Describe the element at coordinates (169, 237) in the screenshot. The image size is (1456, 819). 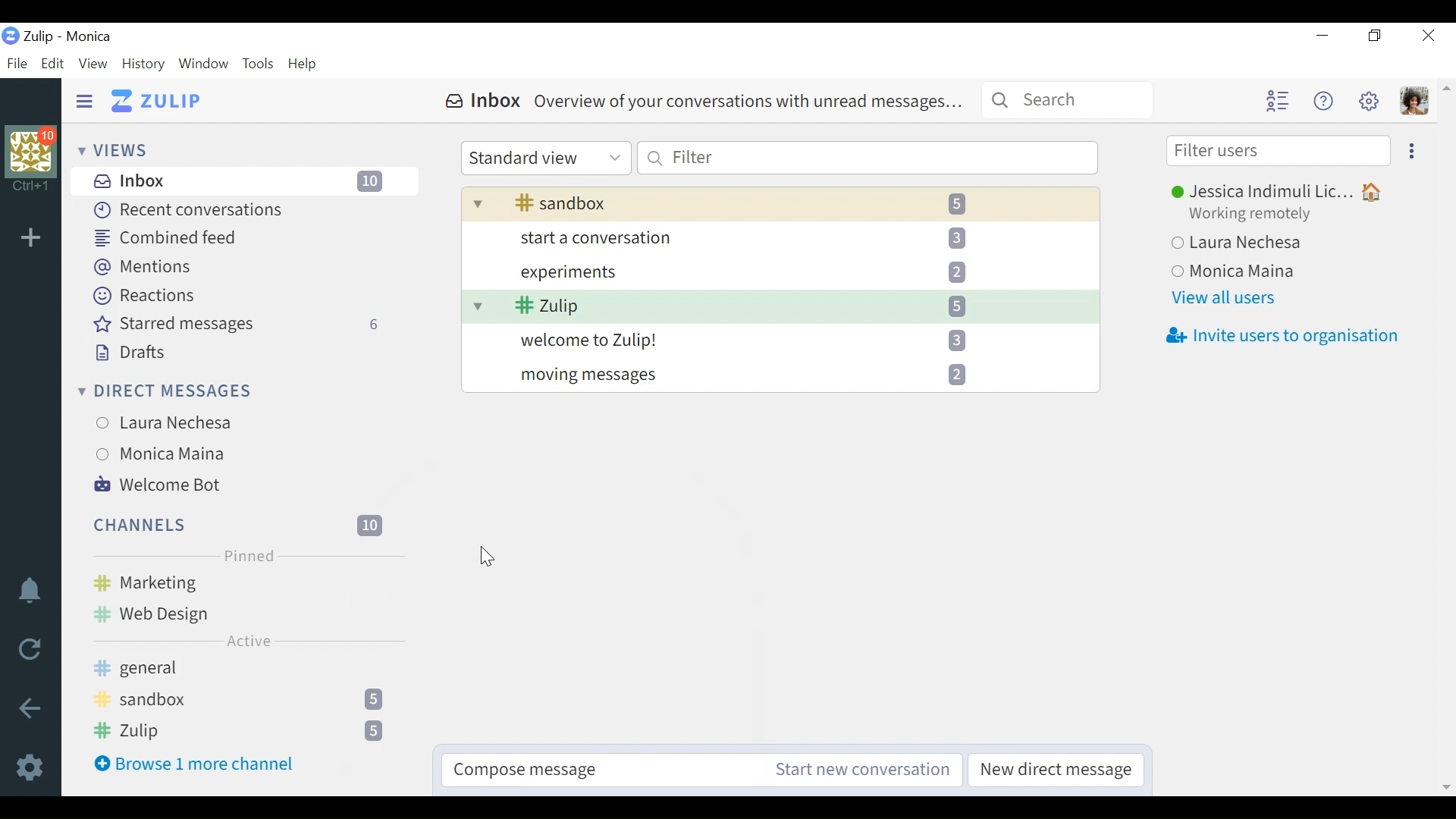
I see `Combined feed` at that location.